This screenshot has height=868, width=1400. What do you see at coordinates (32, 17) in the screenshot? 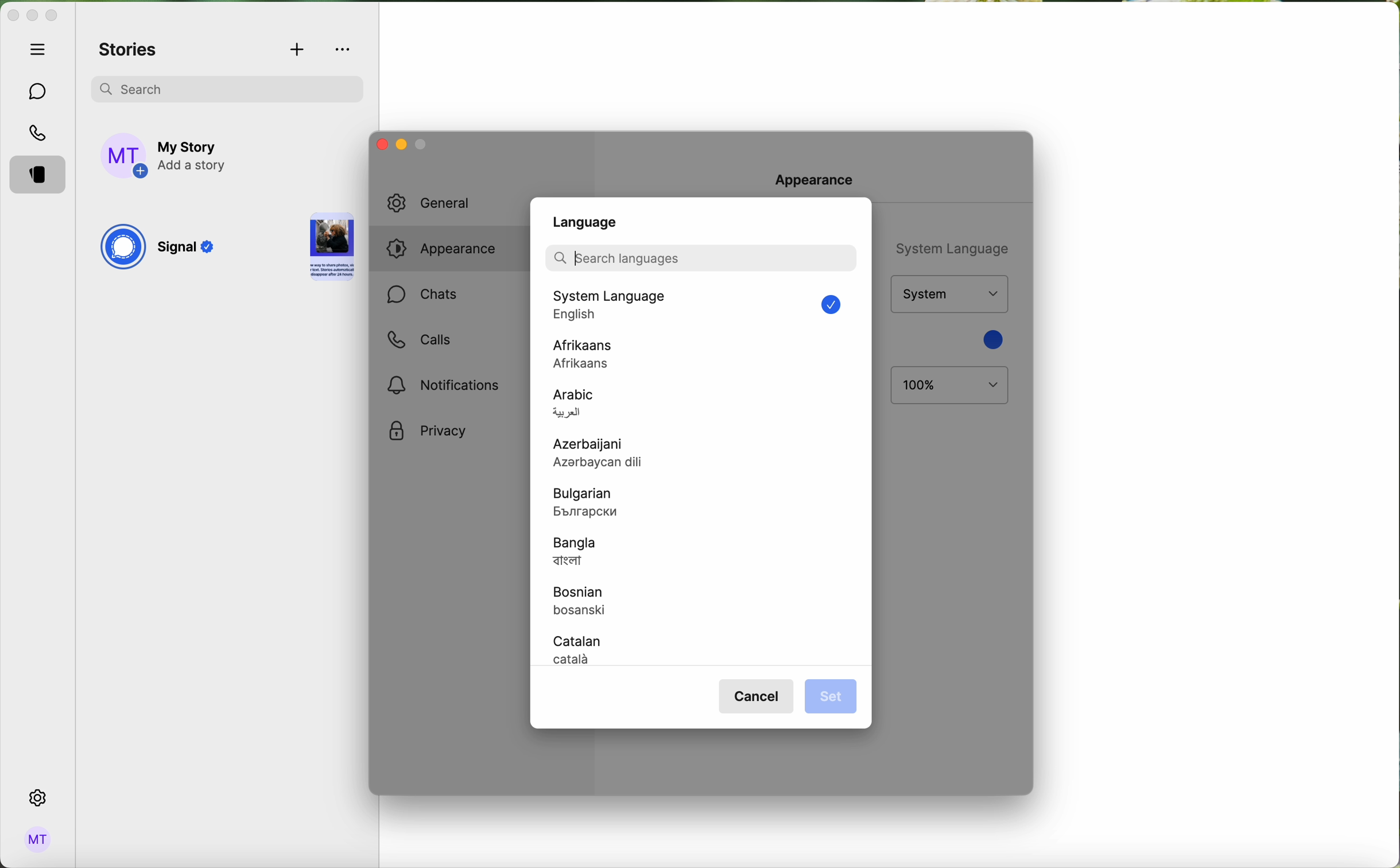
I see `minimize` at bounding box center [32, 17].